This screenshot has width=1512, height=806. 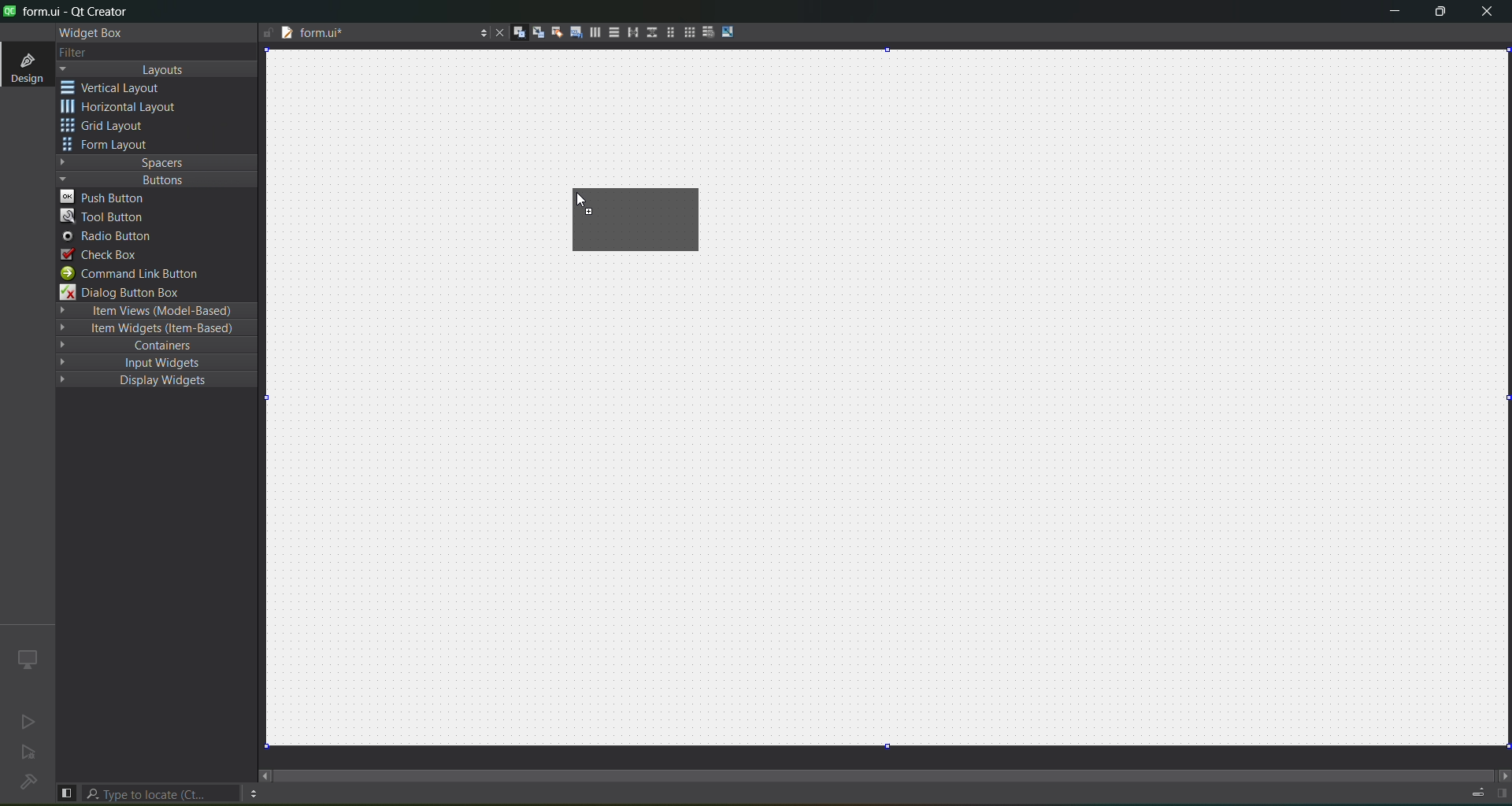 What do you see at coordinates (154, 179) in the screenshot?
I see `button` at bounding box center [154, 179].